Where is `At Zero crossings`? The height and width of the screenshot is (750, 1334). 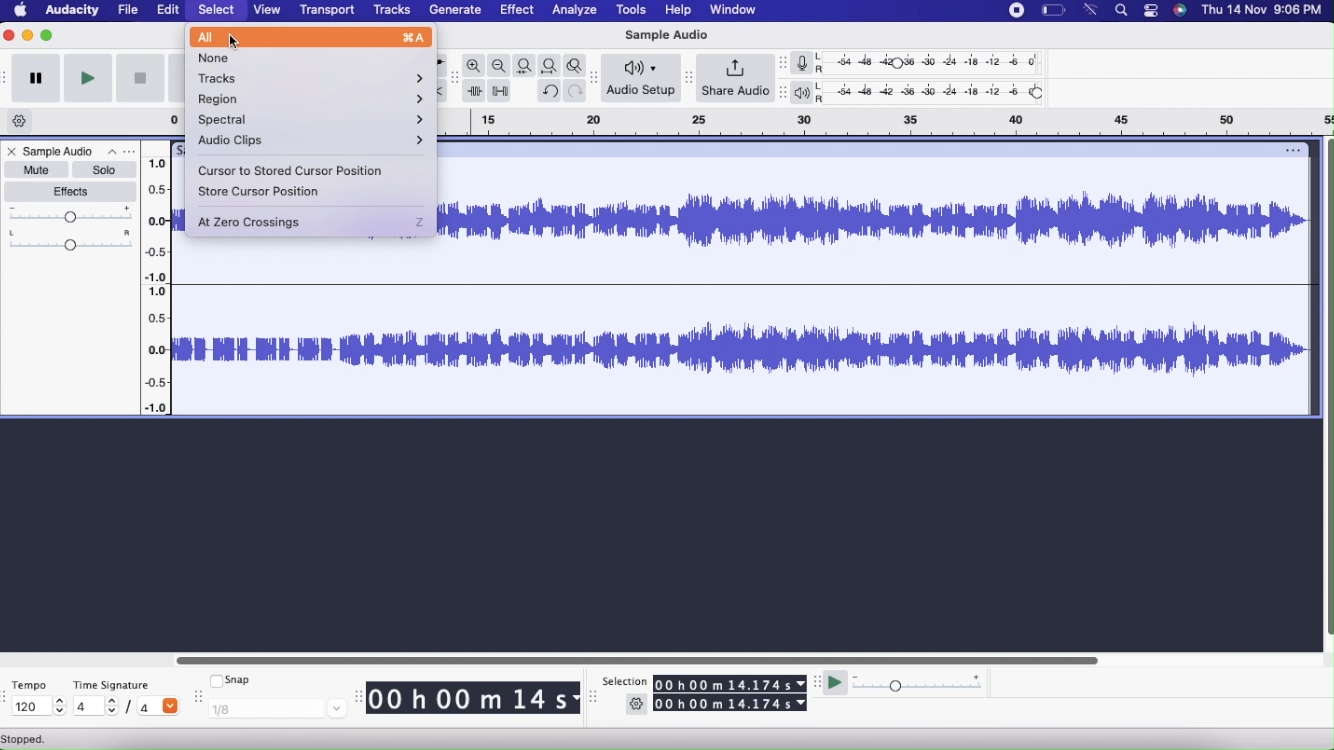
At Zero crossings is located at coordinates (314, 223).